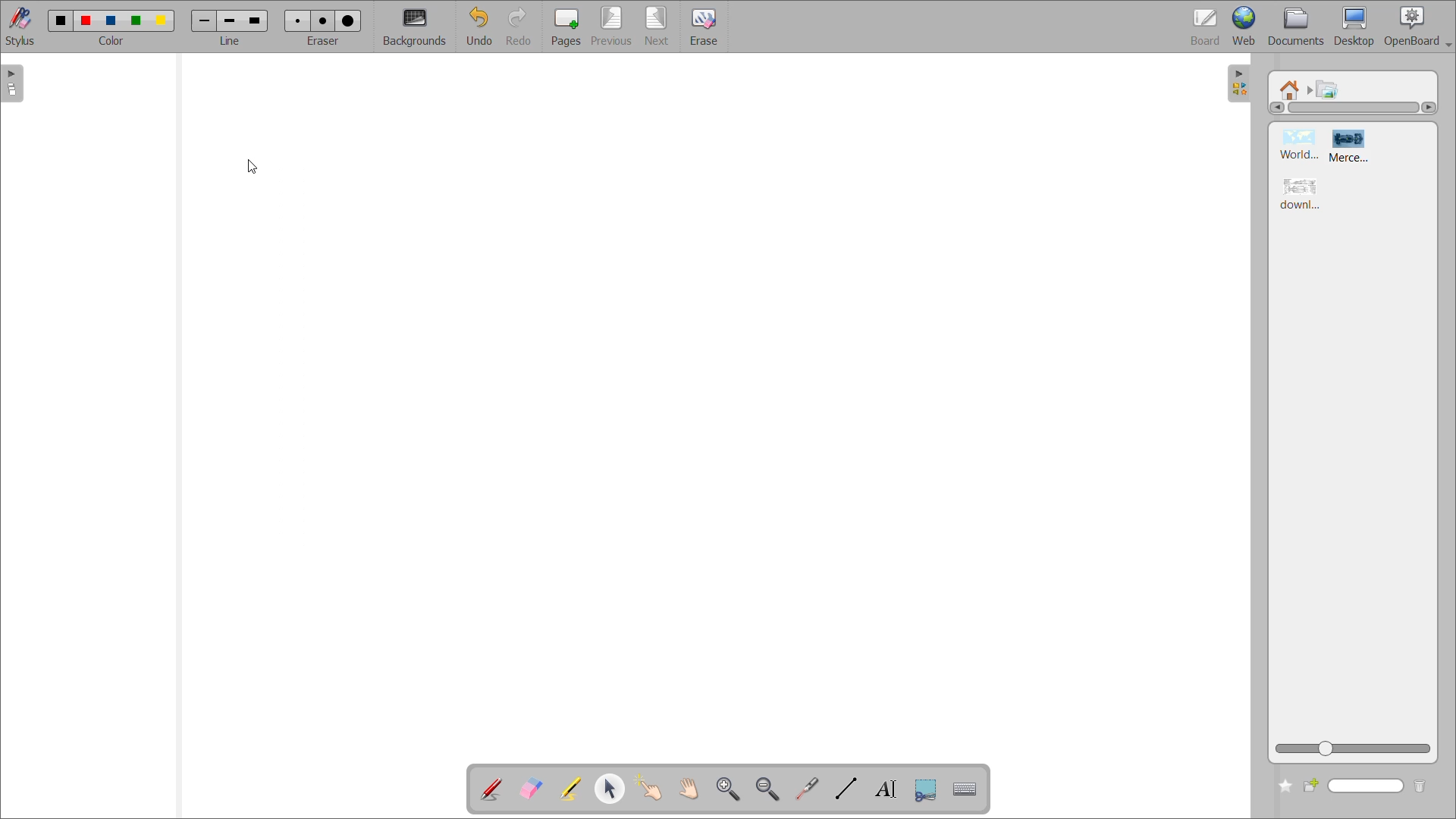 The width and height of the screenshot is (1456, 819). I want to click on image 3, so click(1302, 191).